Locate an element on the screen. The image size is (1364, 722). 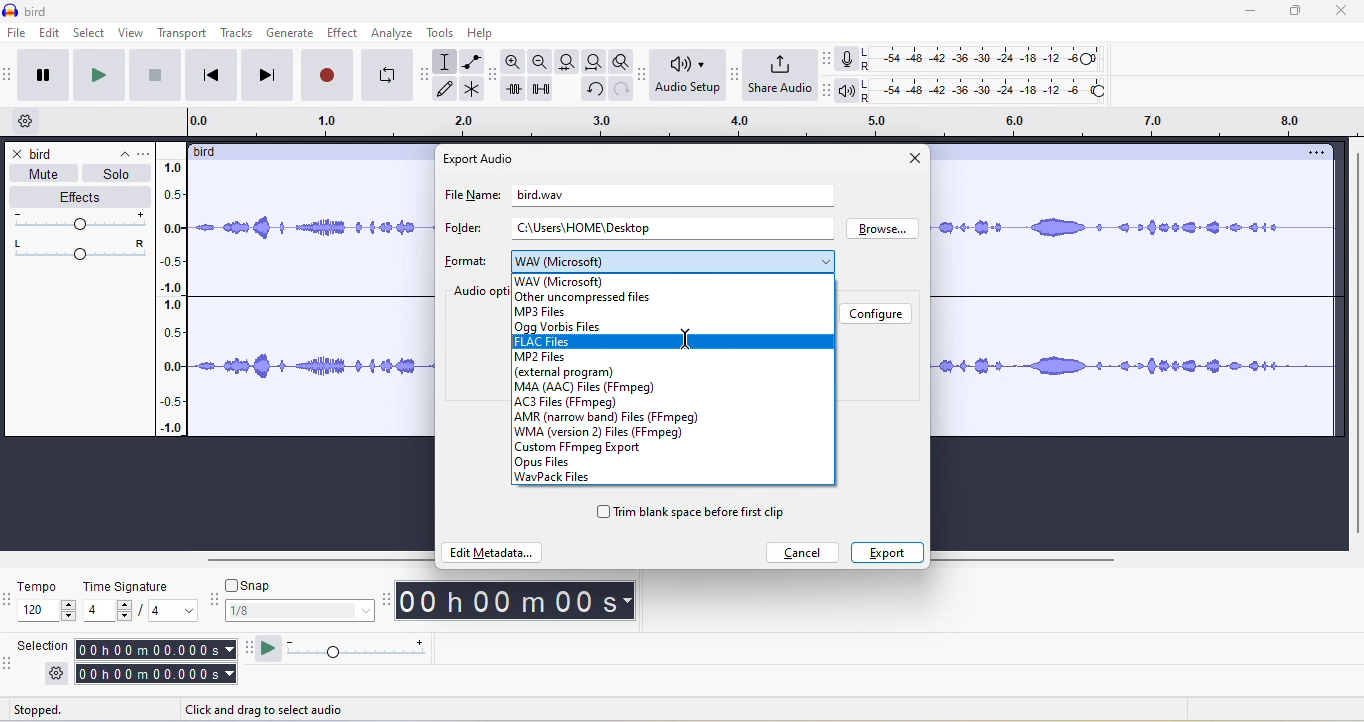
horizontal scroll bar is located at coordinates (1033, 559).